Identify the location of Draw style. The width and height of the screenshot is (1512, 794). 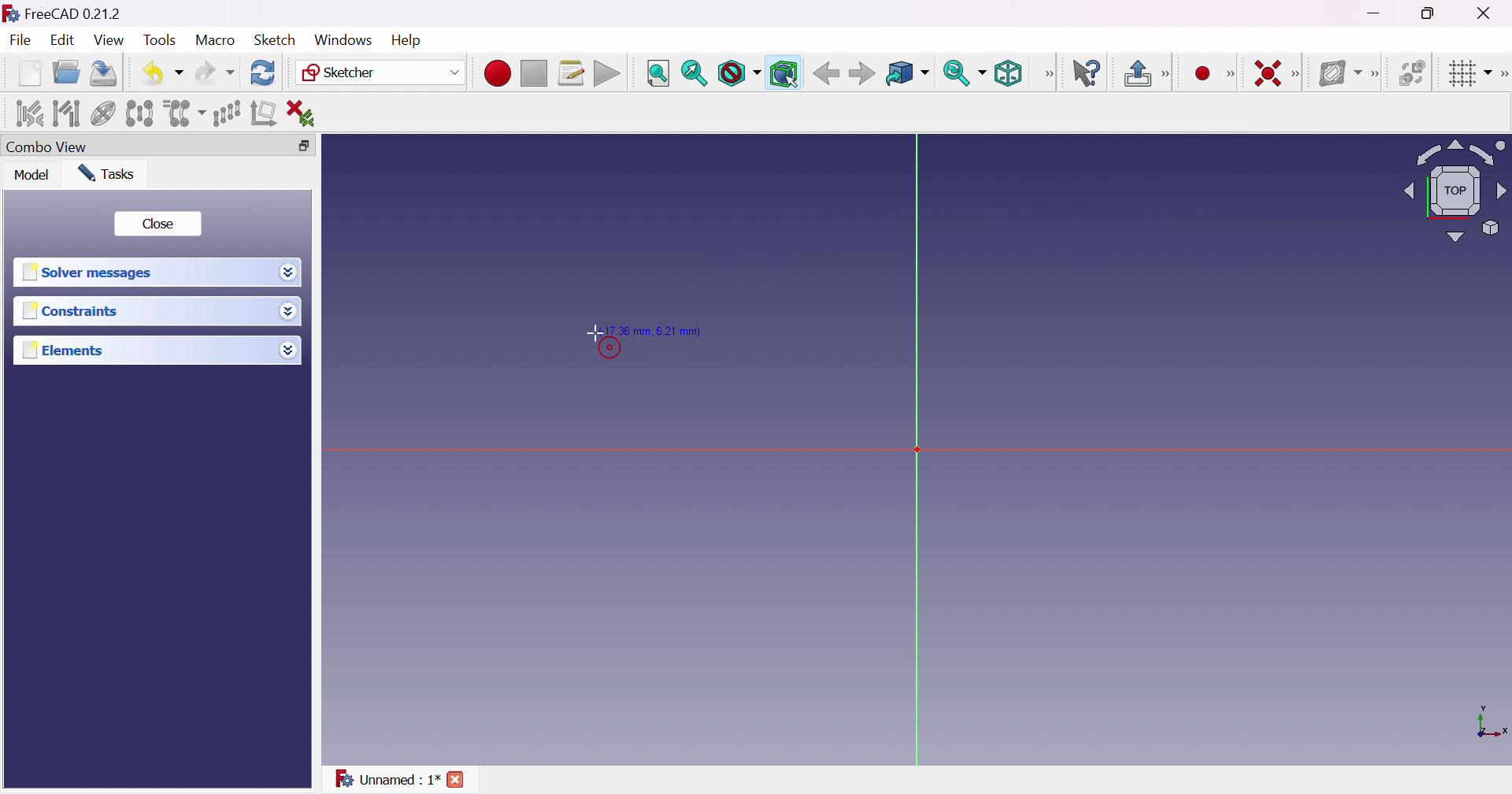
(740, 74).